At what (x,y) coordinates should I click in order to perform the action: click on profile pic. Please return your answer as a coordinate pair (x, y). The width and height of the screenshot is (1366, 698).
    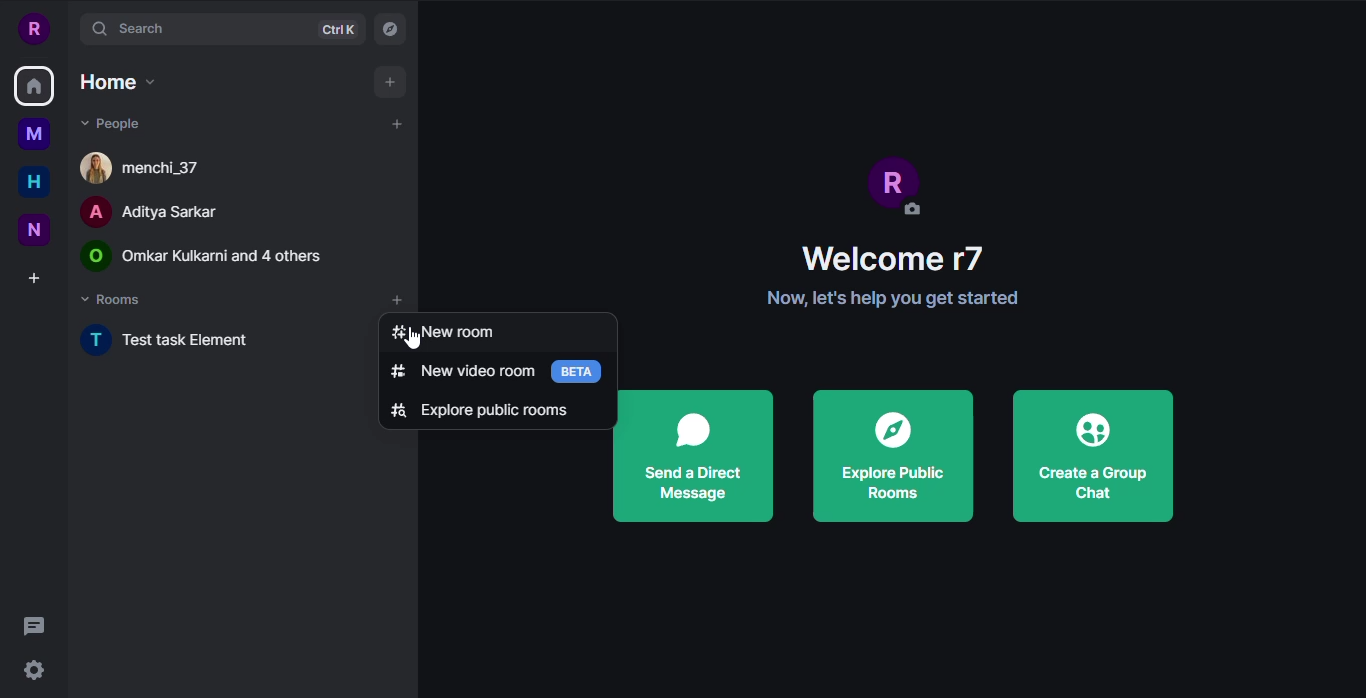
    Looking at the image, I should click on (897, 184).